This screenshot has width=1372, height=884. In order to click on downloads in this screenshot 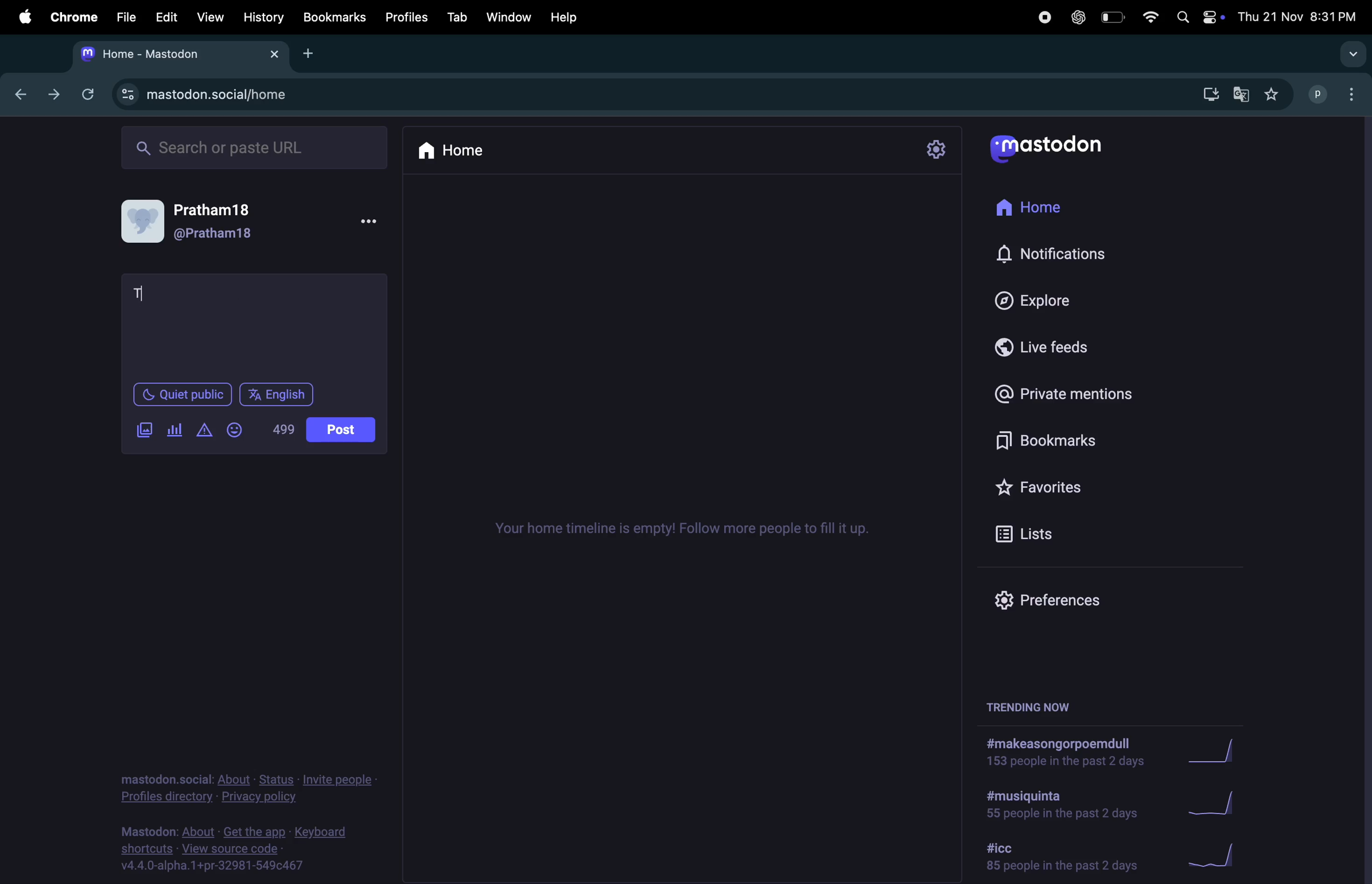, I will do `click(1206, 95)`.